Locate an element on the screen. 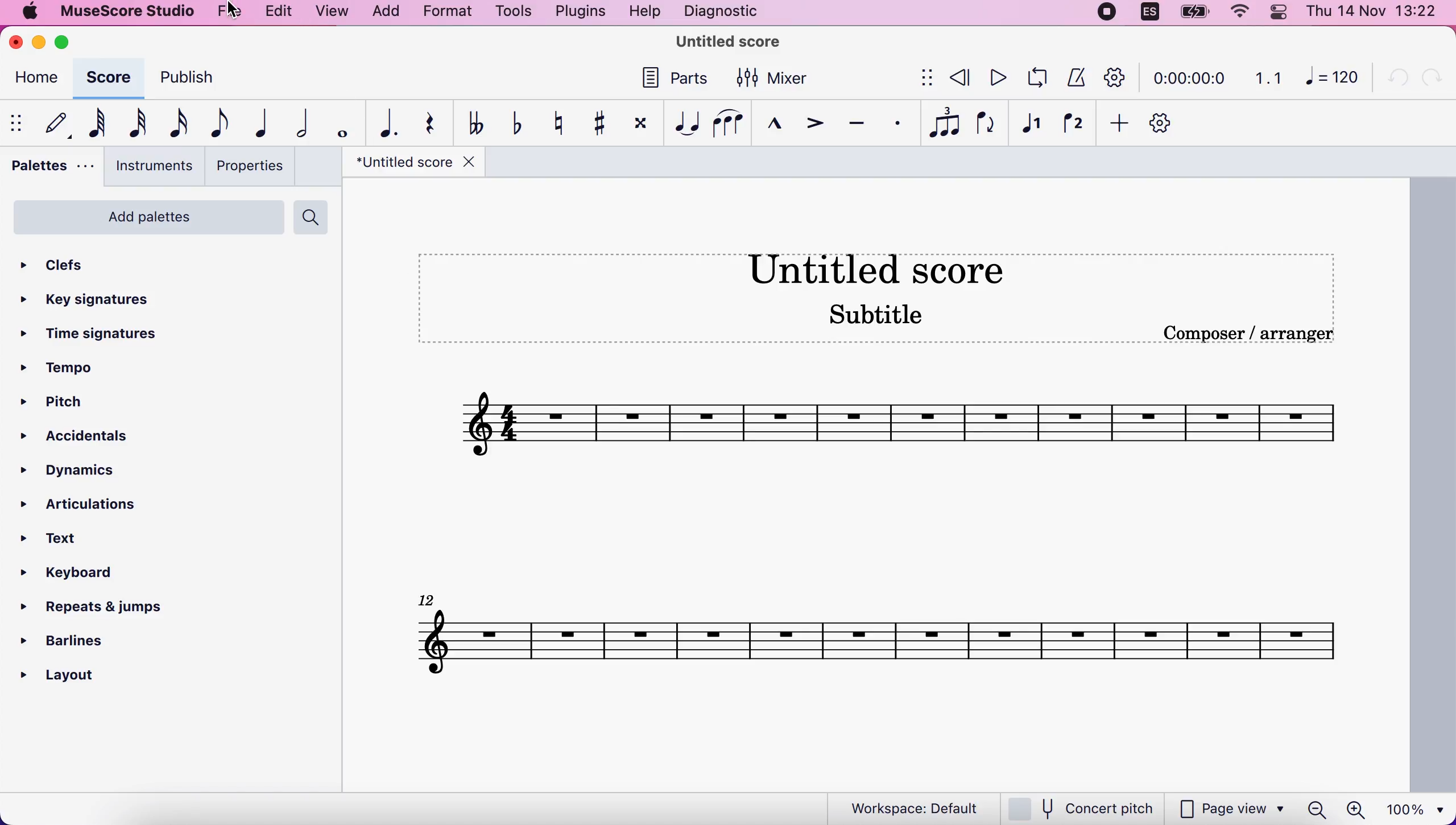 The width and height of the screenshot is (1456, 825). tenuto is located at coordinates (857, 126).